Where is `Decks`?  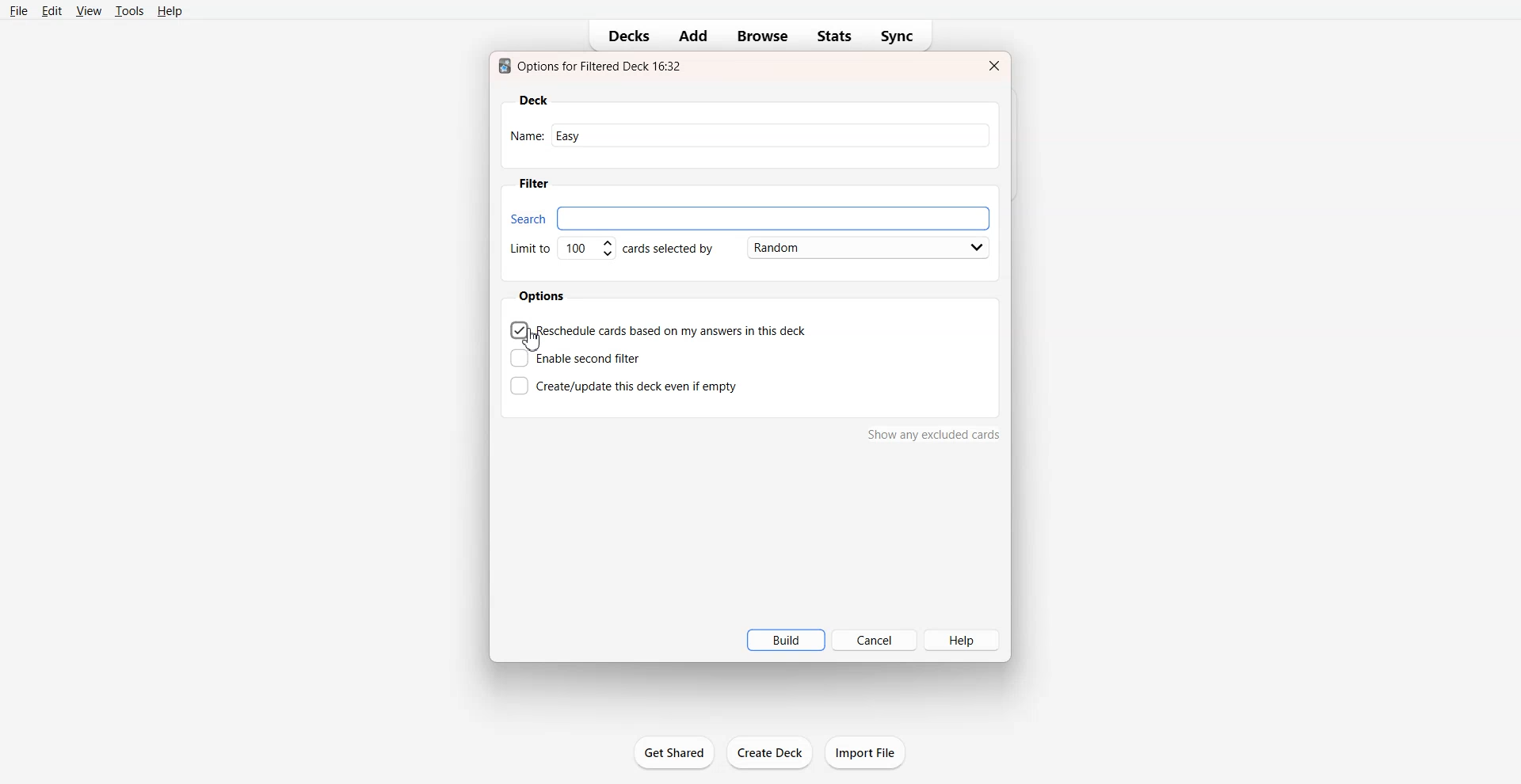
Decks is located at coordinates (623, 36).